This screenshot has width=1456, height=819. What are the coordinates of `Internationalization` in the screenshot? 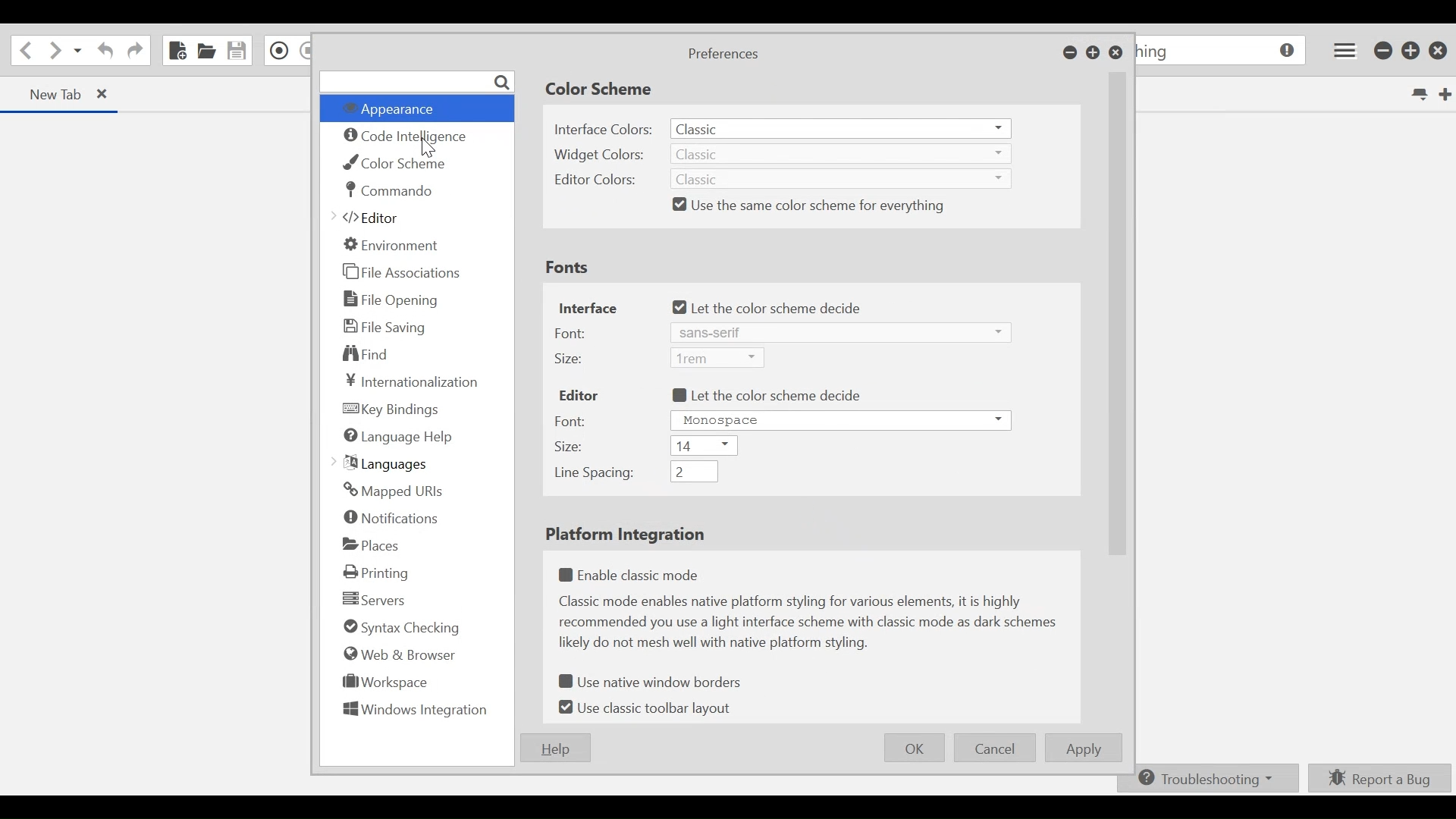 It's located at (408, 381).